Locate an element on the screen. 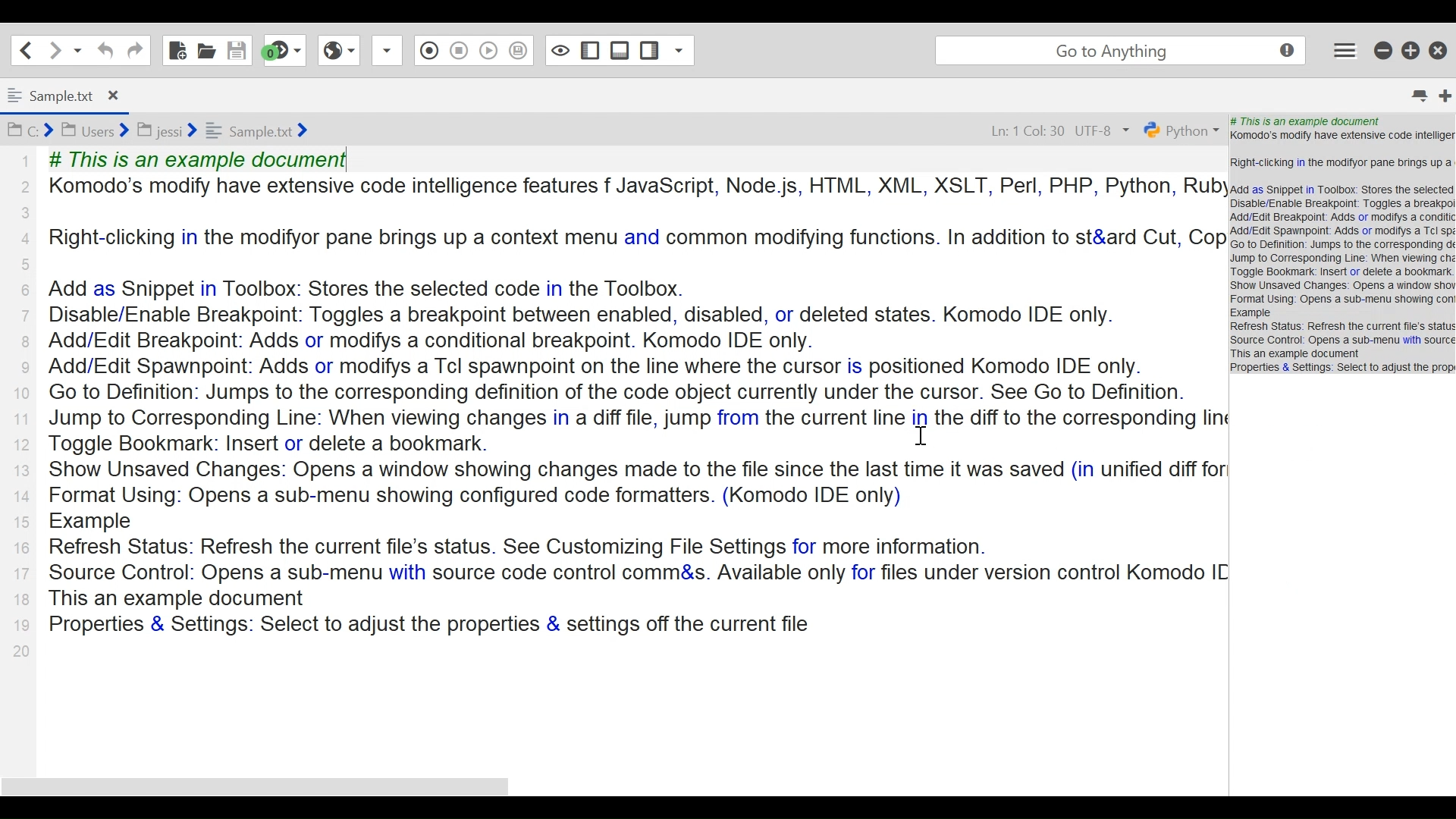  Go forward one location is located at coordinates (54, 49).